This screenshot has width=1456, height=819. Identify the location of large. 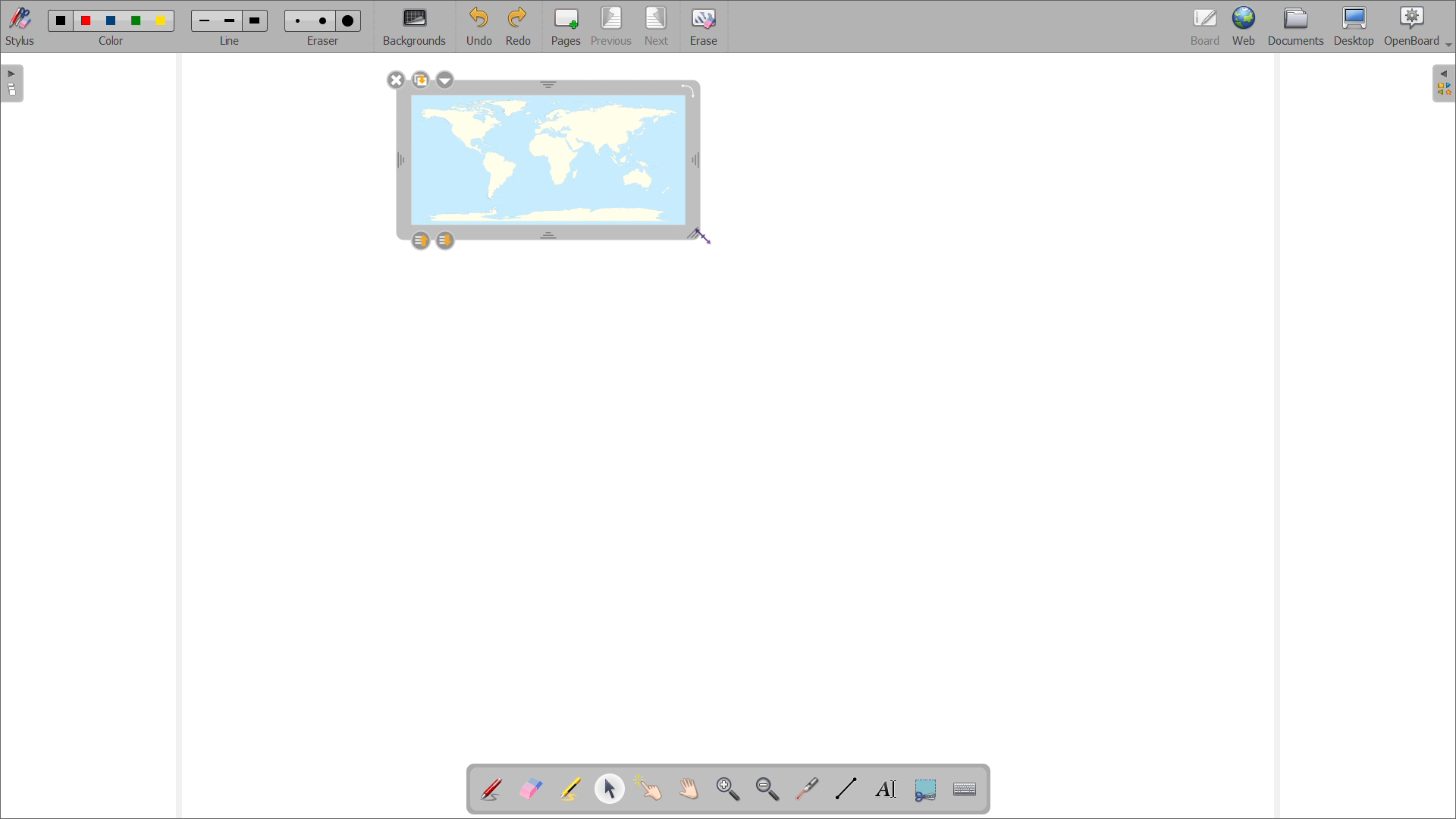
(349, 20).